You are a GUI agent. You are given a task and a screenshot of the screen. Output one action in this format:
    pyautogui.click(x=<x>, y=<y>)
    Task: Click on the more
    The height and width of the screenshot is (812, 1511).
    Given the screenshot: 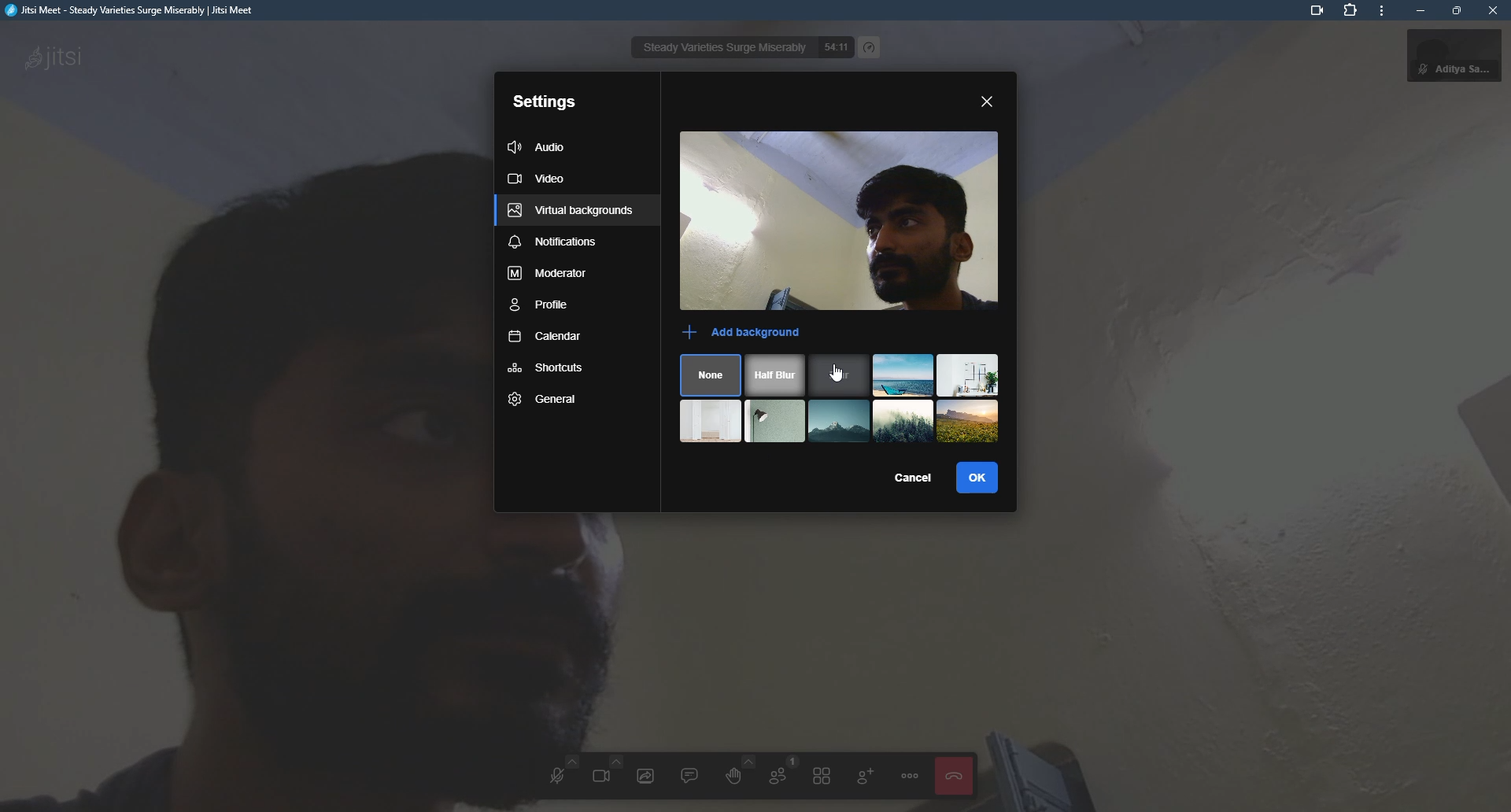 What is the action you would take?
    pyautogui.click(x=1381, y=13)
    